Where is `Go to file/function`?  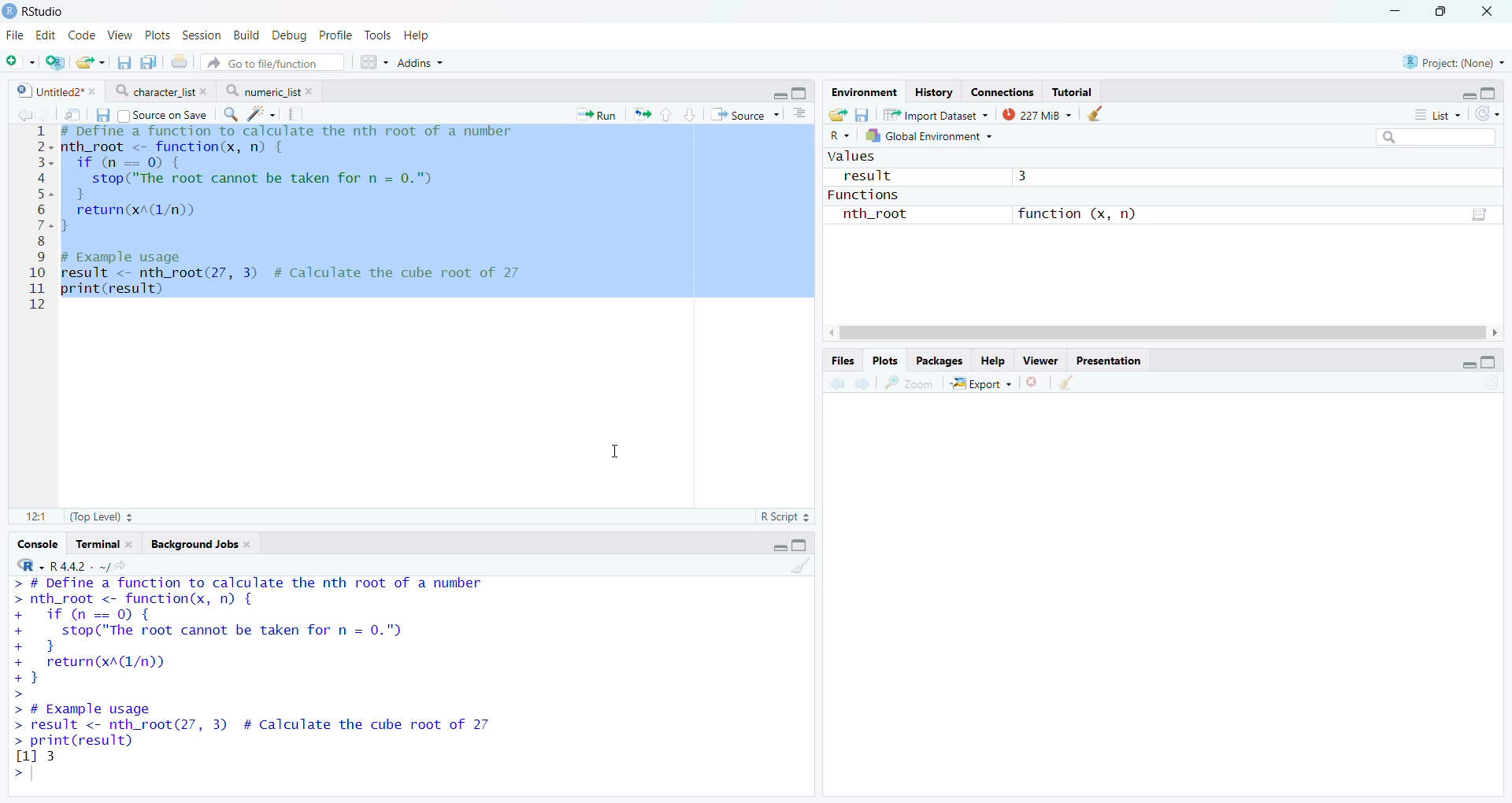
Go to file/function is located at coordinates (272, 62).